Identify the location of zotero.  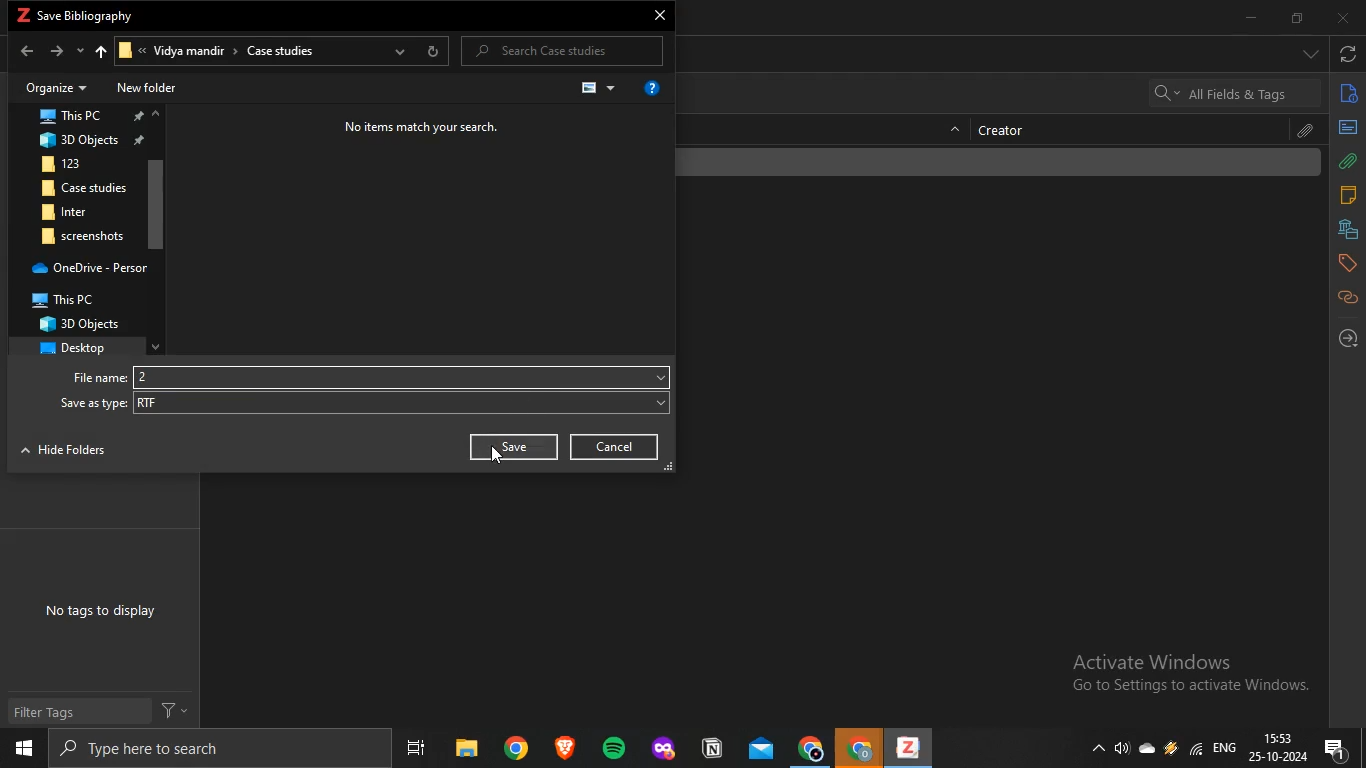
(905, 749).